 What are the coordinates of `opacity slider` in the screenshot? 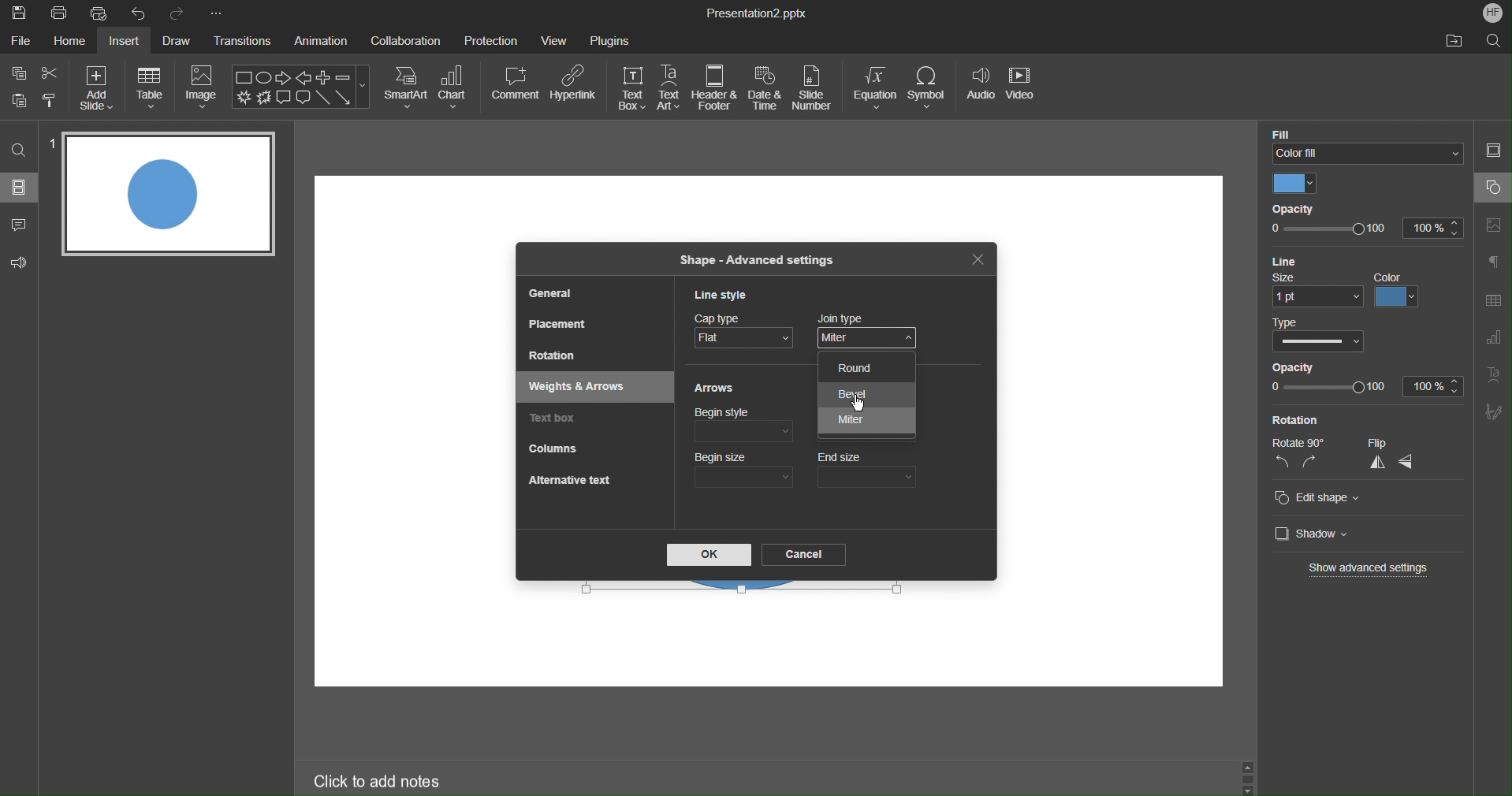 It's located at (1328, 388).